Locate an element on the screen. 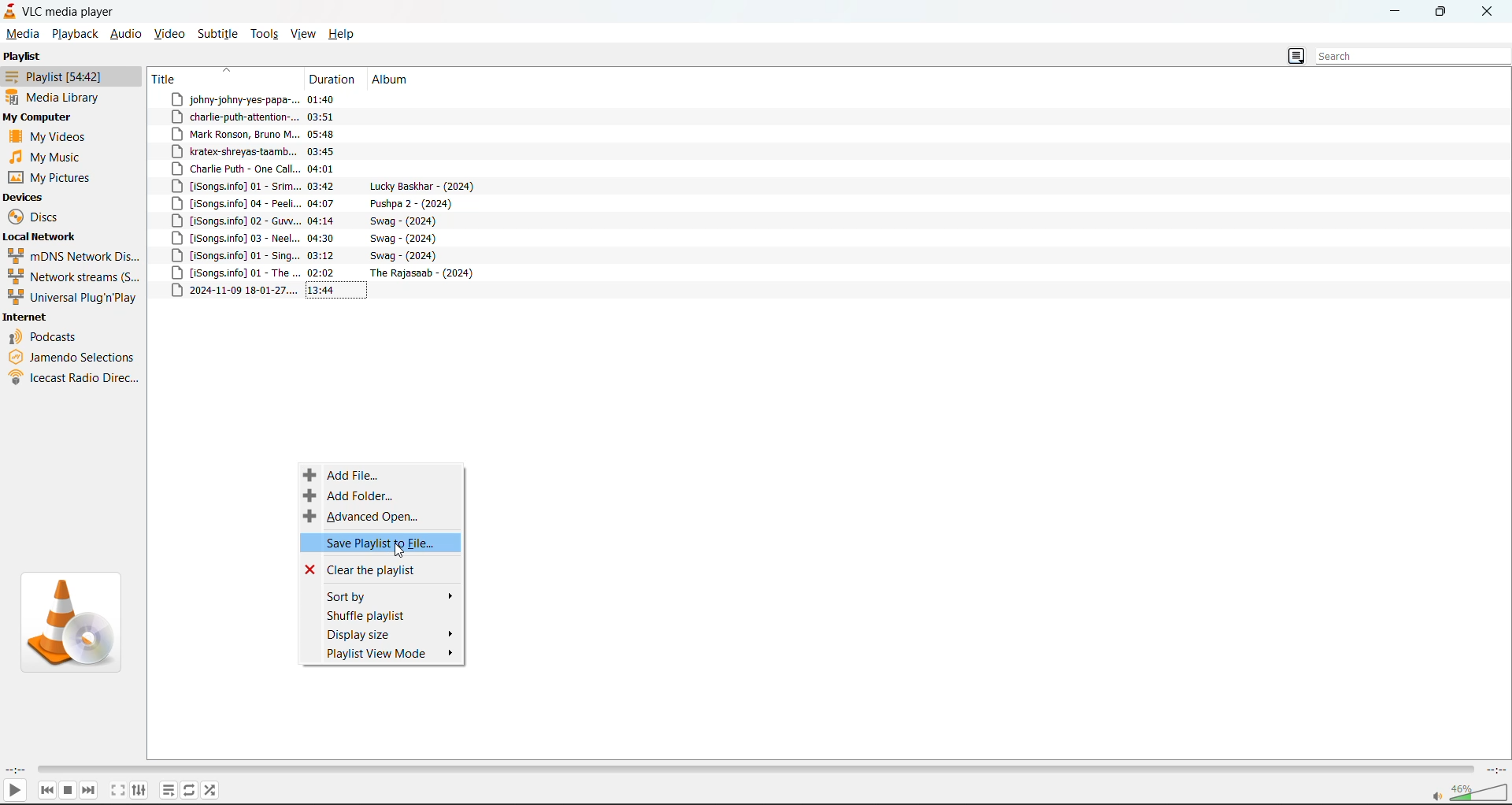 The width and height of the screenshot is (1512, 805). playlist is located at coordinates (23, 57).